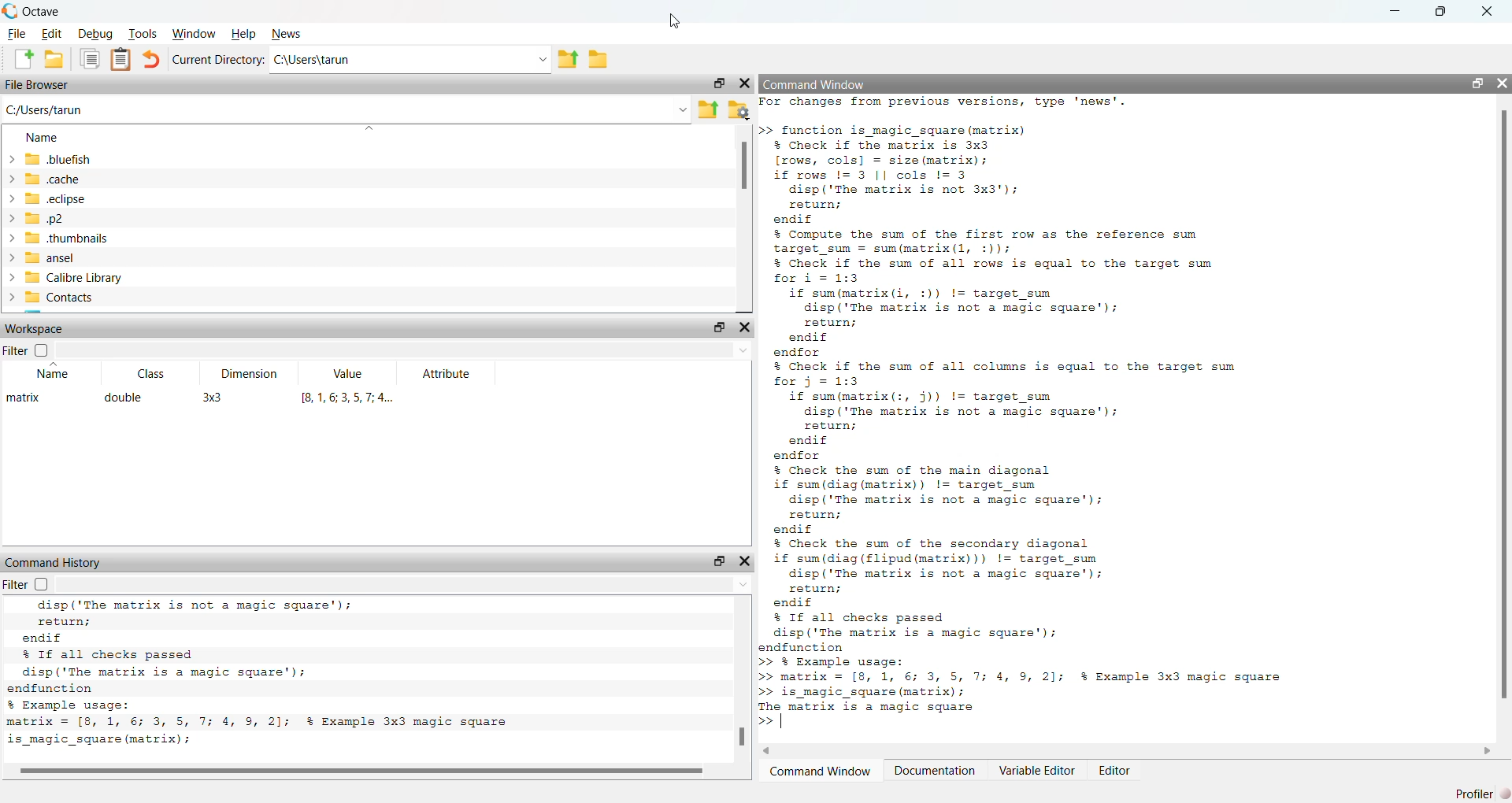 The height and width of the screenshot is (803, 1512). I want to click on dropdown, so click(743, 351).